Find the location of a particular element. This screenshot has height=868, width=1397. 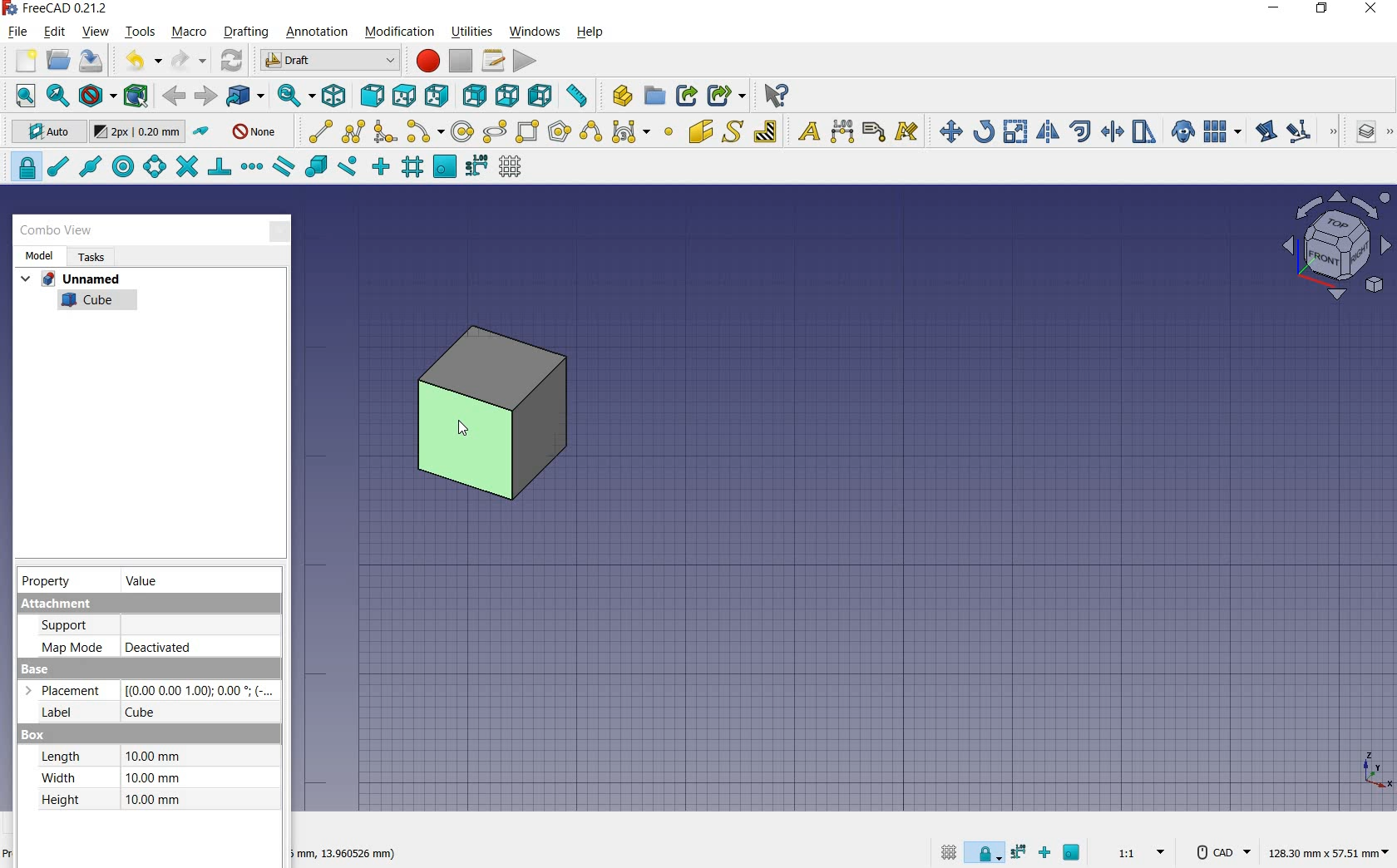

bottom is located at coordinates (507, 94).